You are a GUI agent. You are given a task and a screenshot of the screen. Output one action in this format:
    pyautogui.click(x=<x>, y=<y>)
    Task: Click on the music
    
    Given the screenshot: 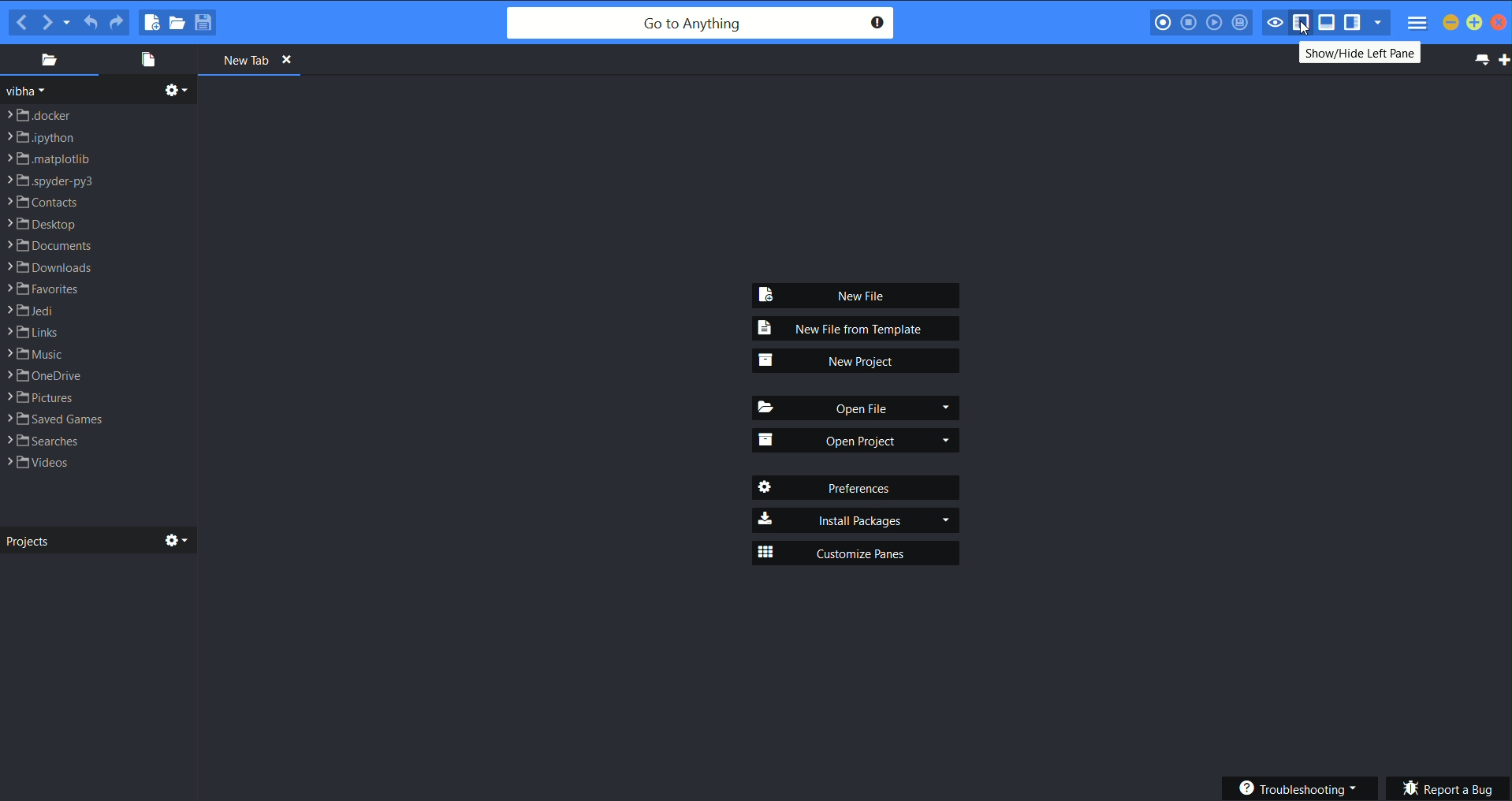 What is the action you would take?
    pyautogui.click(x=38, y=354)
    